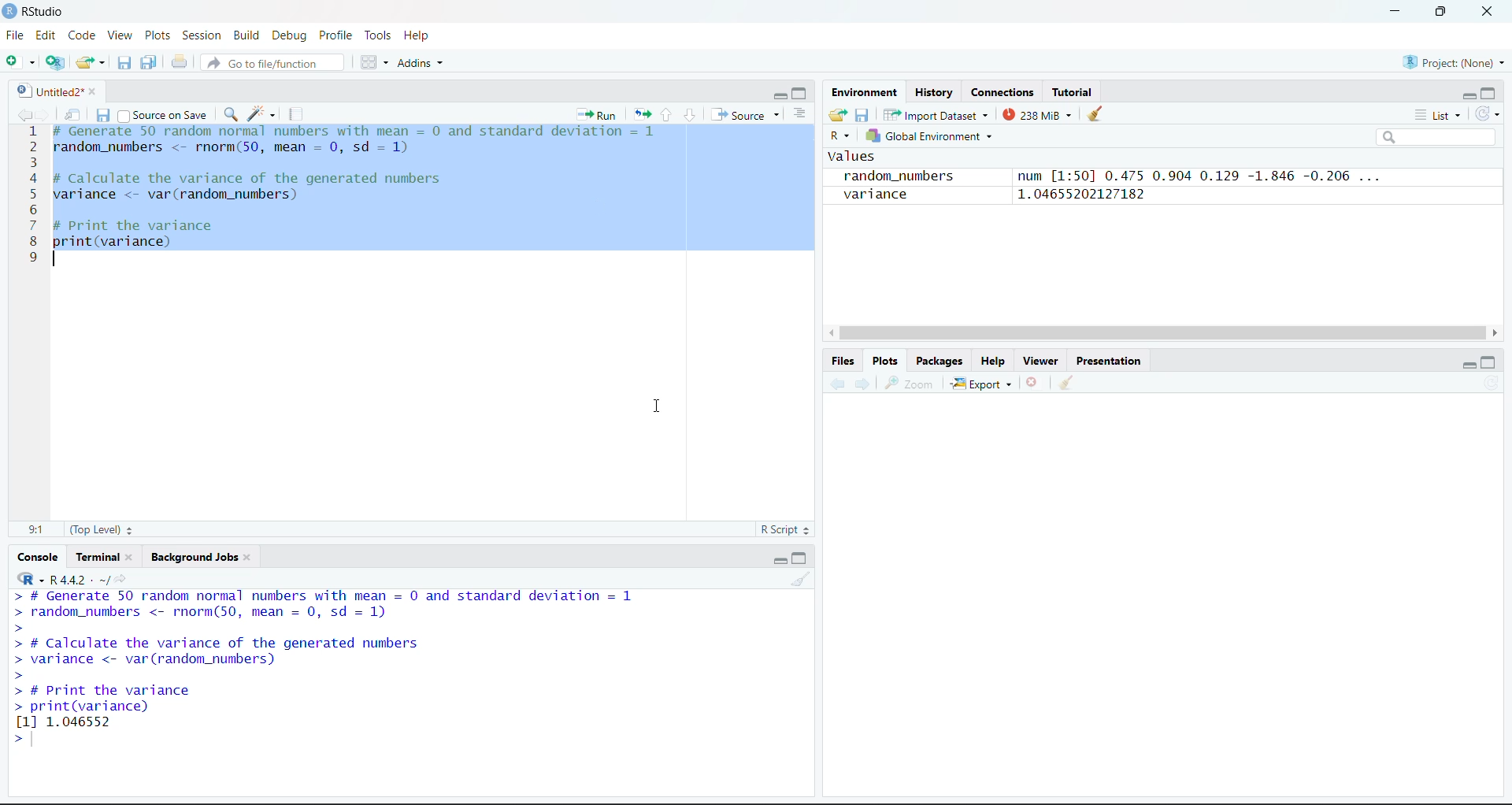  I want to click on close file, so click(1033, 382).